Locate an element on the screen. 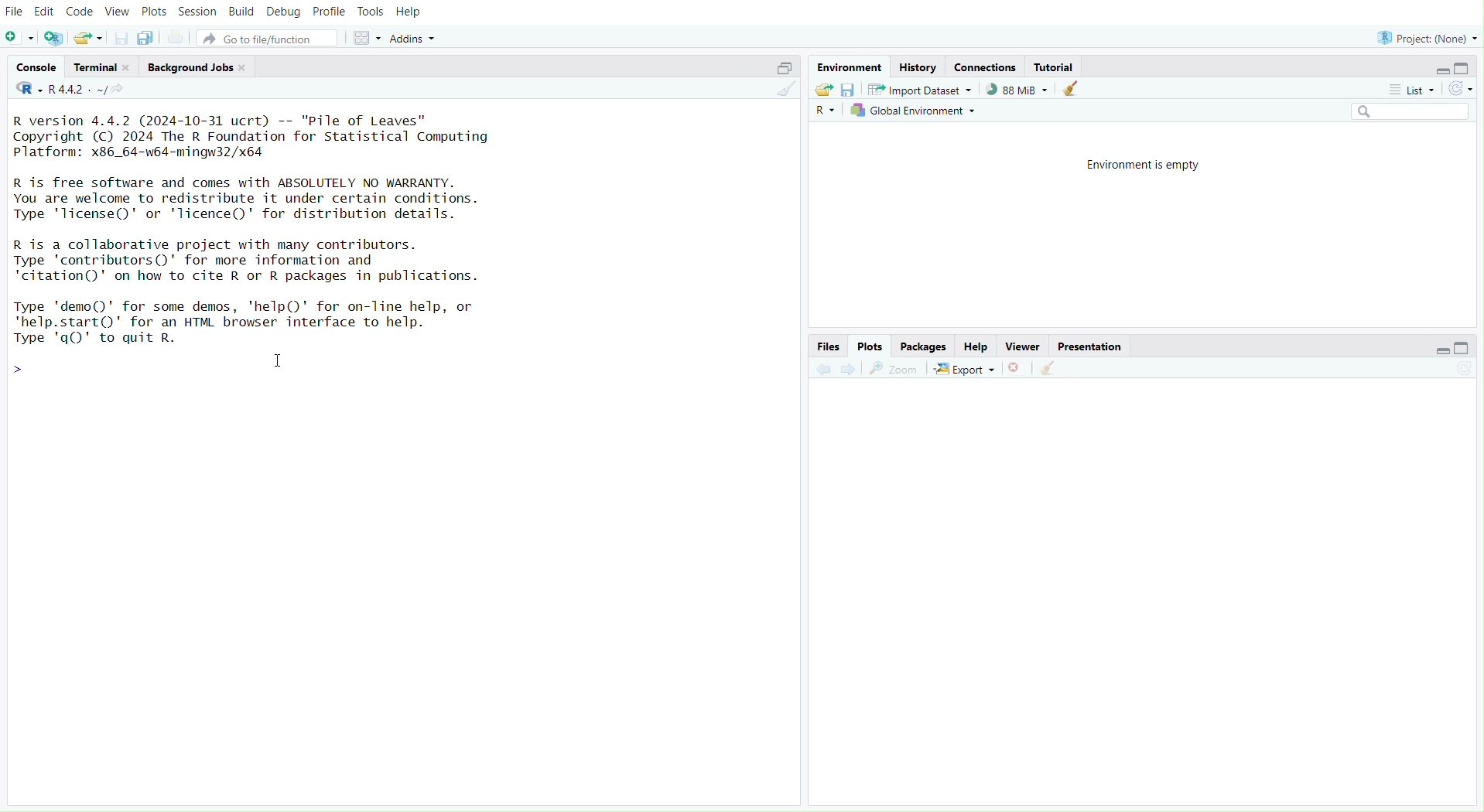 The image size is (1484, 812). Help is located at coordinates (978, 347).